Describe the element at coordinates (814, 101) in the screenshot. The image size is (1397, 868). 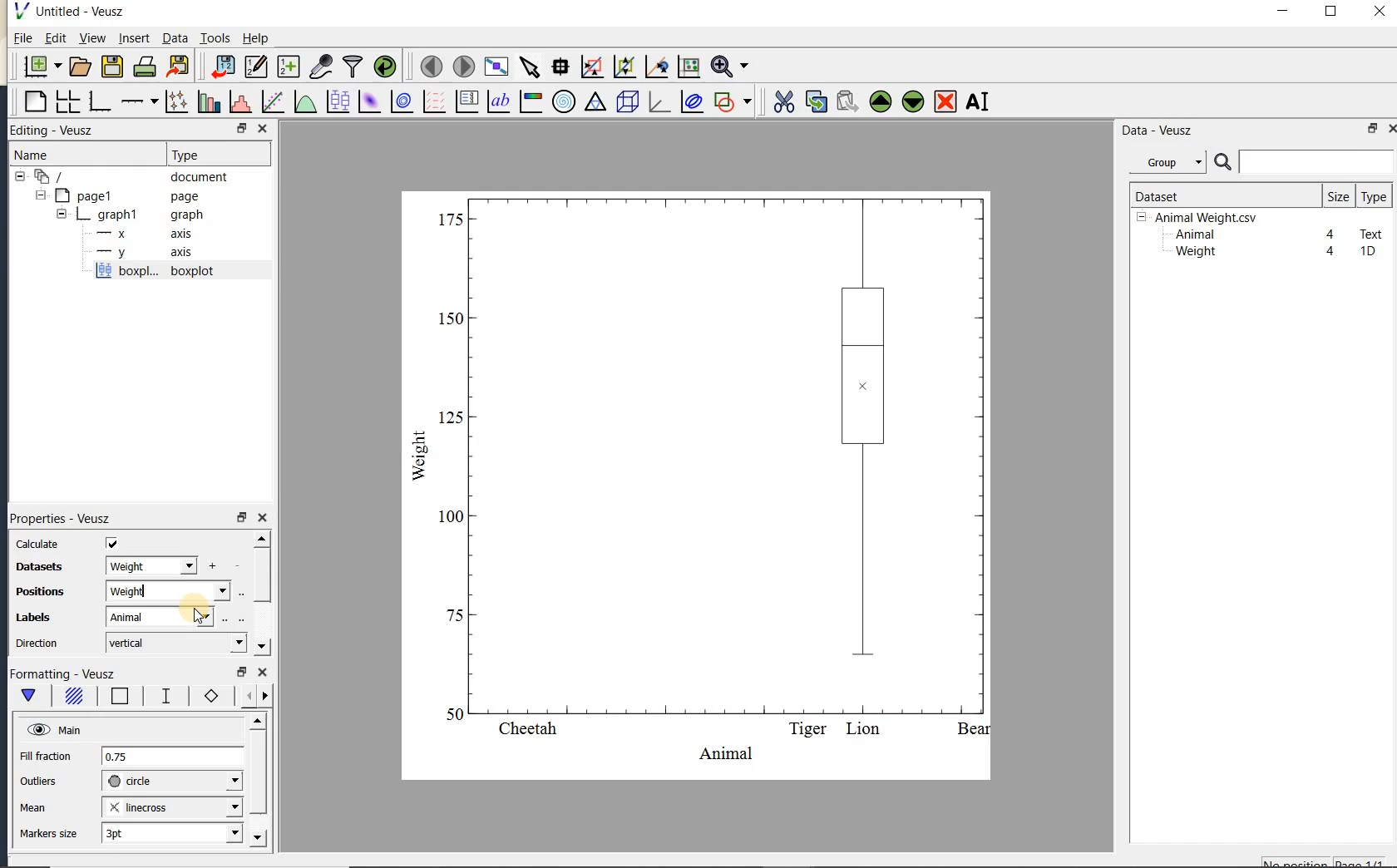
I see `copy the selected widget` at that location.